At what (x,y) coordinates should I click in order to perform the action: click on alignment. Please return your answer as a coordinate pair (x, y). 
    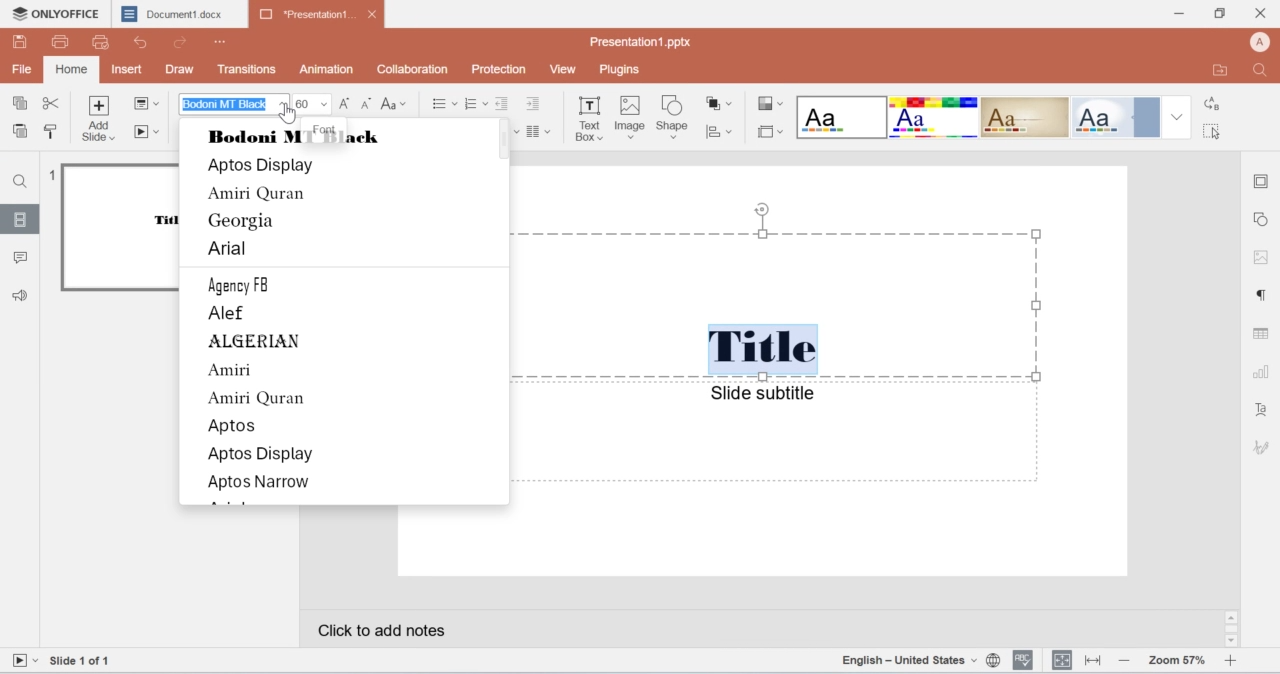
    Looking at the image, I should click on (1062, 660).